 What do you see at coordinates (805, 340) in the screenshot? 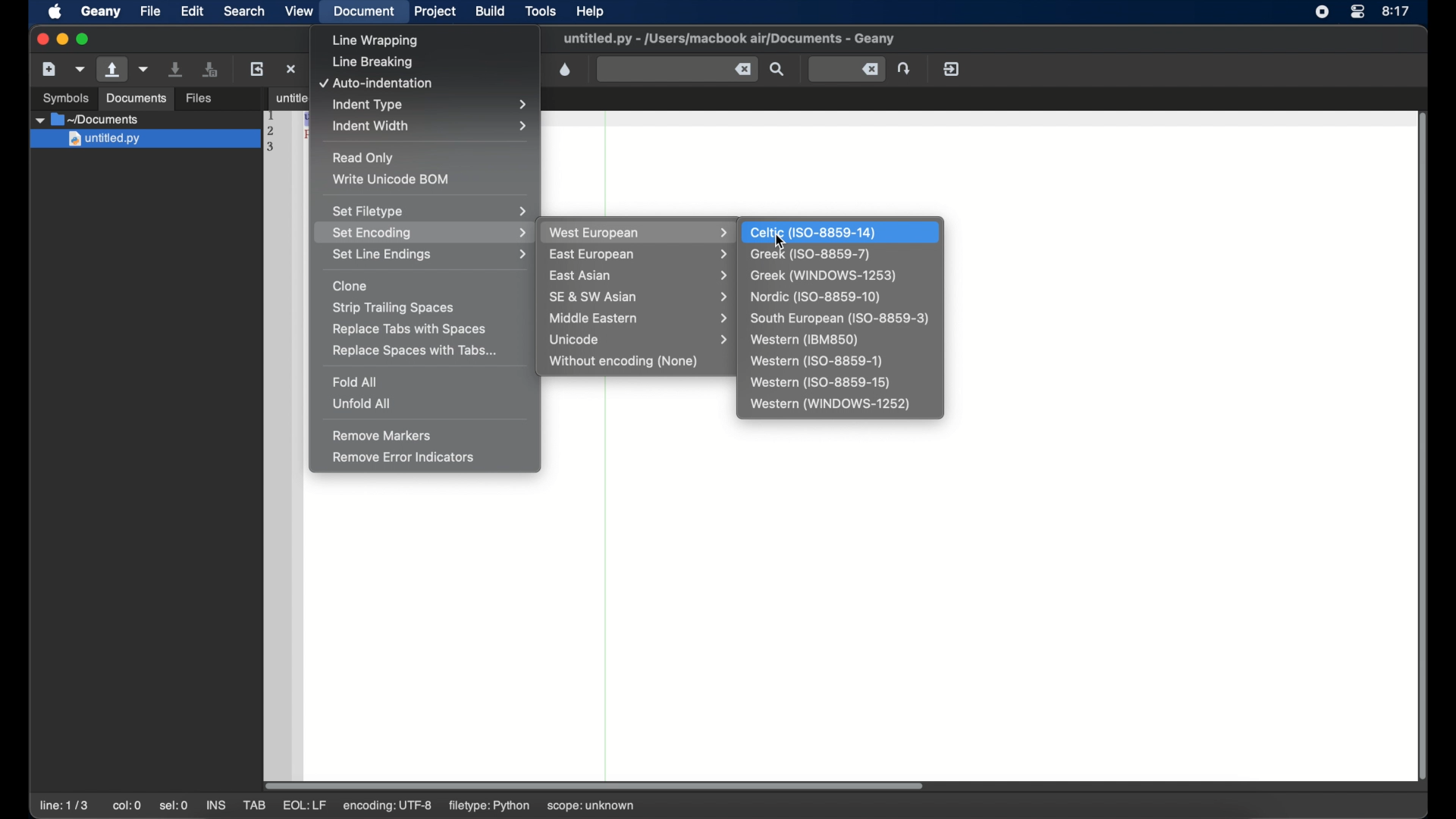
I see `western` at bounding box center [805, 340].